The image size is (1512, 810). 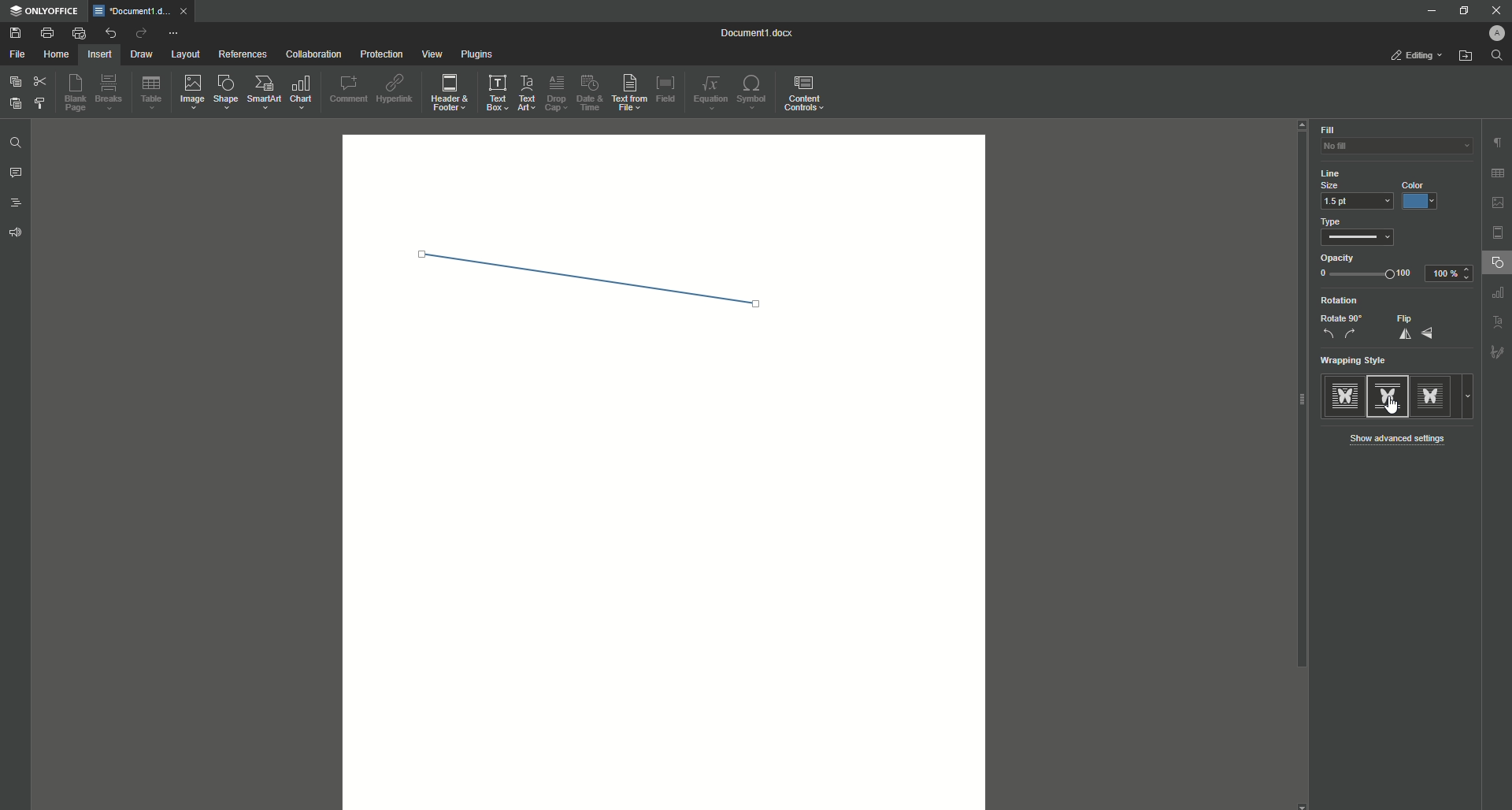 What do you see at coordinates (1501, 55) in the screenshot?
I see `Find` at bounding box center [1501, 55].